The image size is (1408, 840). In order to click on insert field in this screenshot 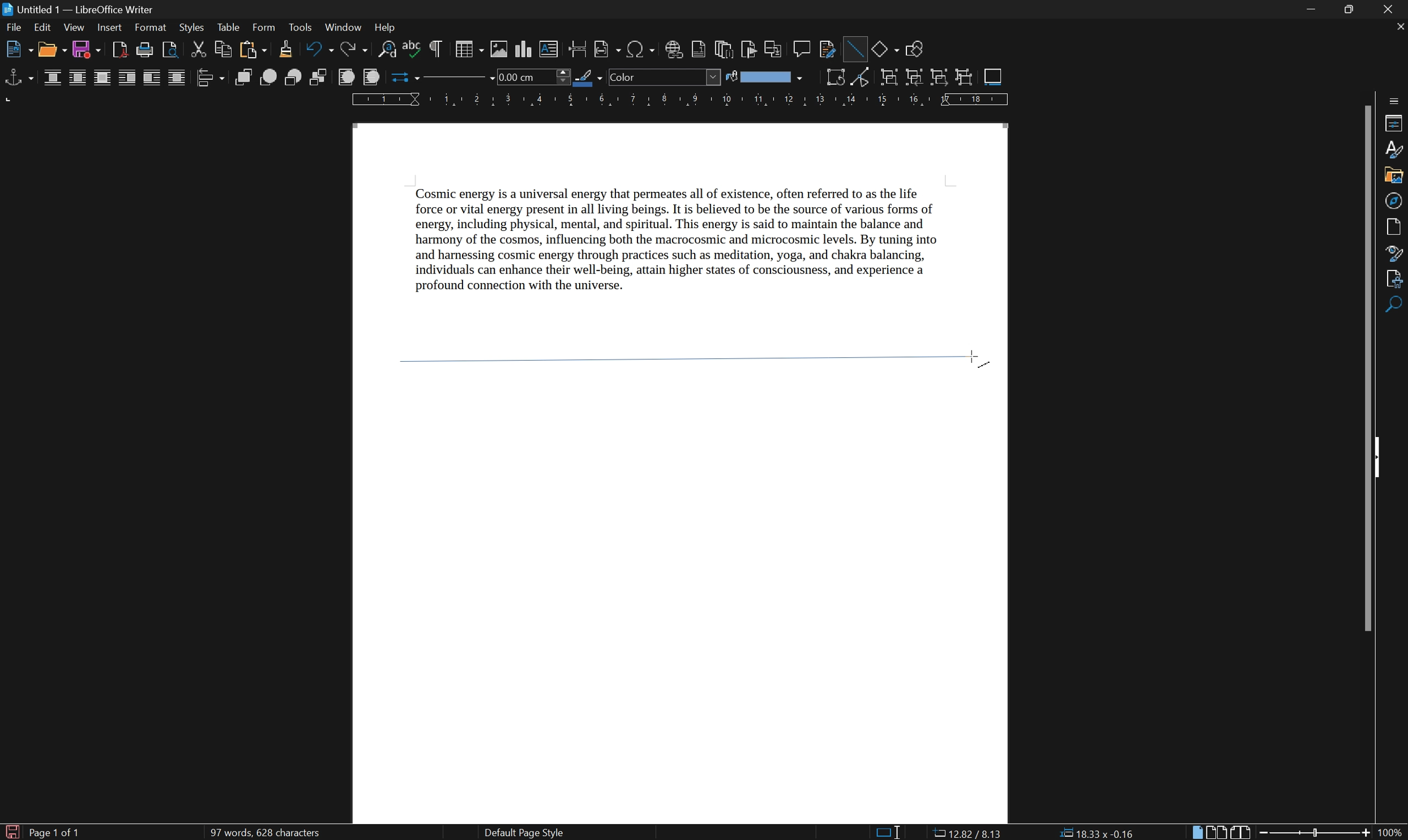, I will do `click(606, 50)`.